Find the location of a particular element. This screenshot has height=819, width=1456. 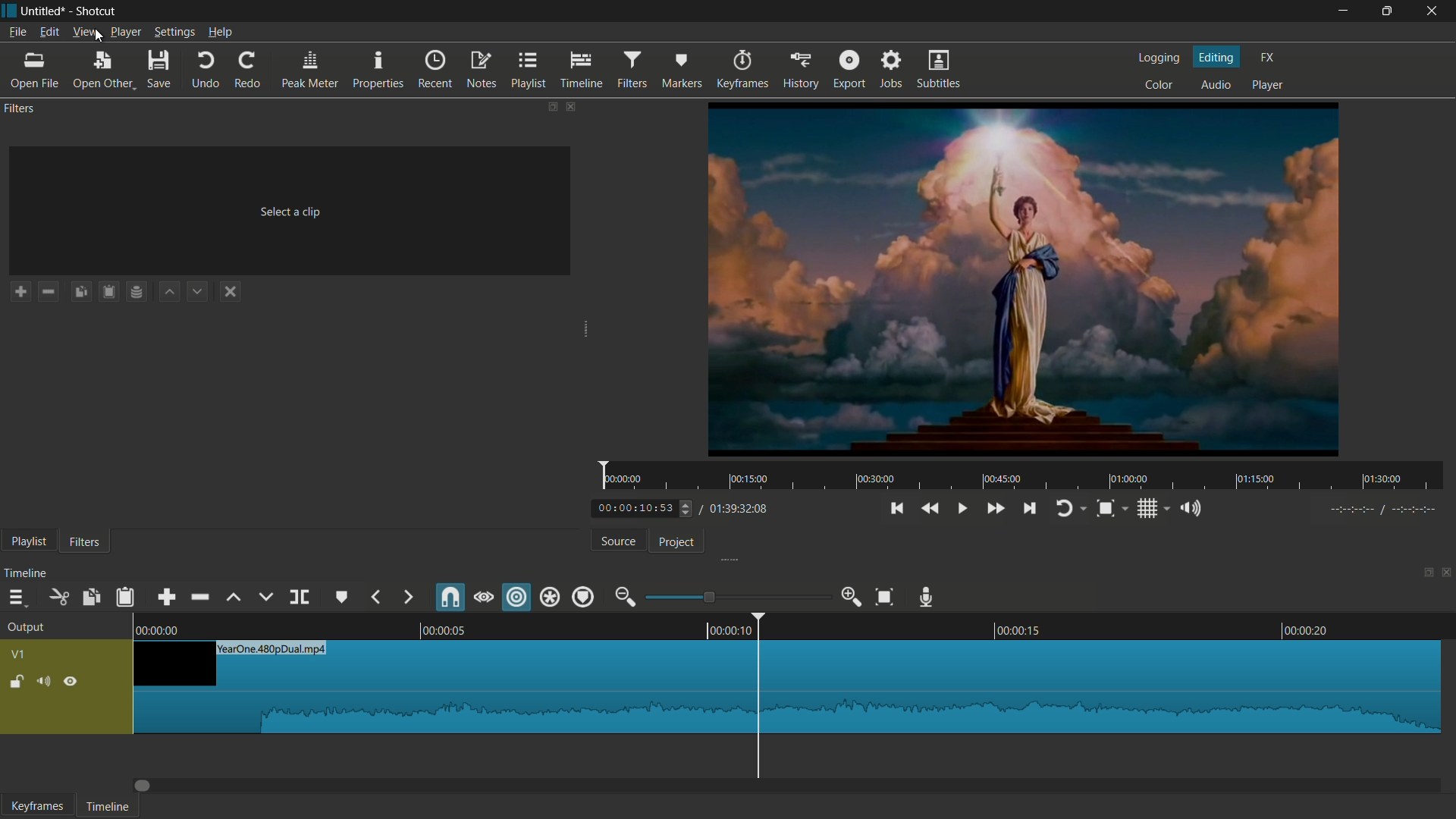

timeline is located at coordinates (27, 572).